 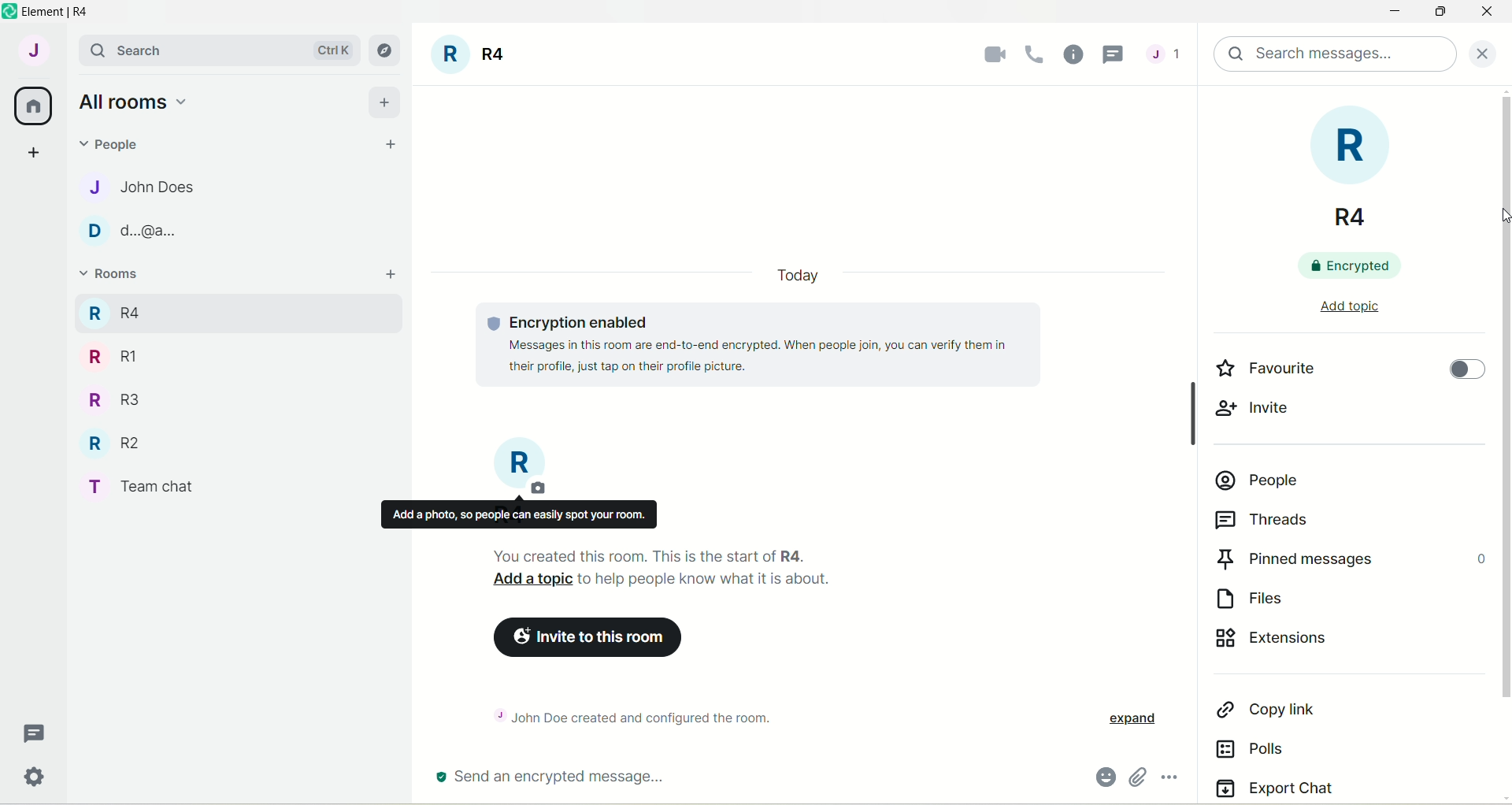 I want to click on copy link, so click(x=1273, y=707).